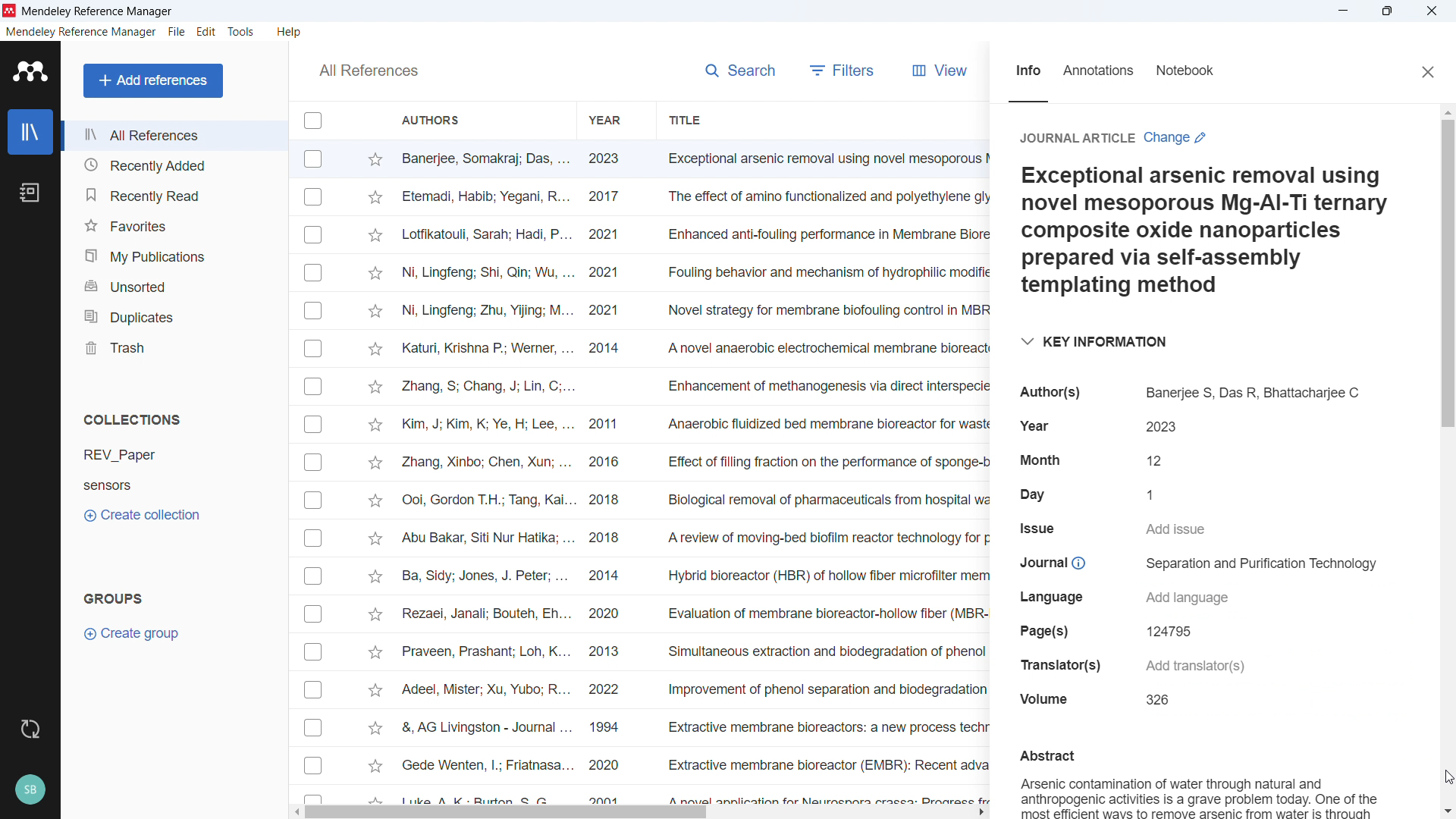 The height and width of the screenshot is (819, 1456). What do you see at coordinates (1202, 796) in the screenshot?
I see `arsenic contamination of water through natural and anthropogenic activities is a grave problem today.one of the most efficient wavs to remove arsenic from water is through` at bounding box center [1202, 796].